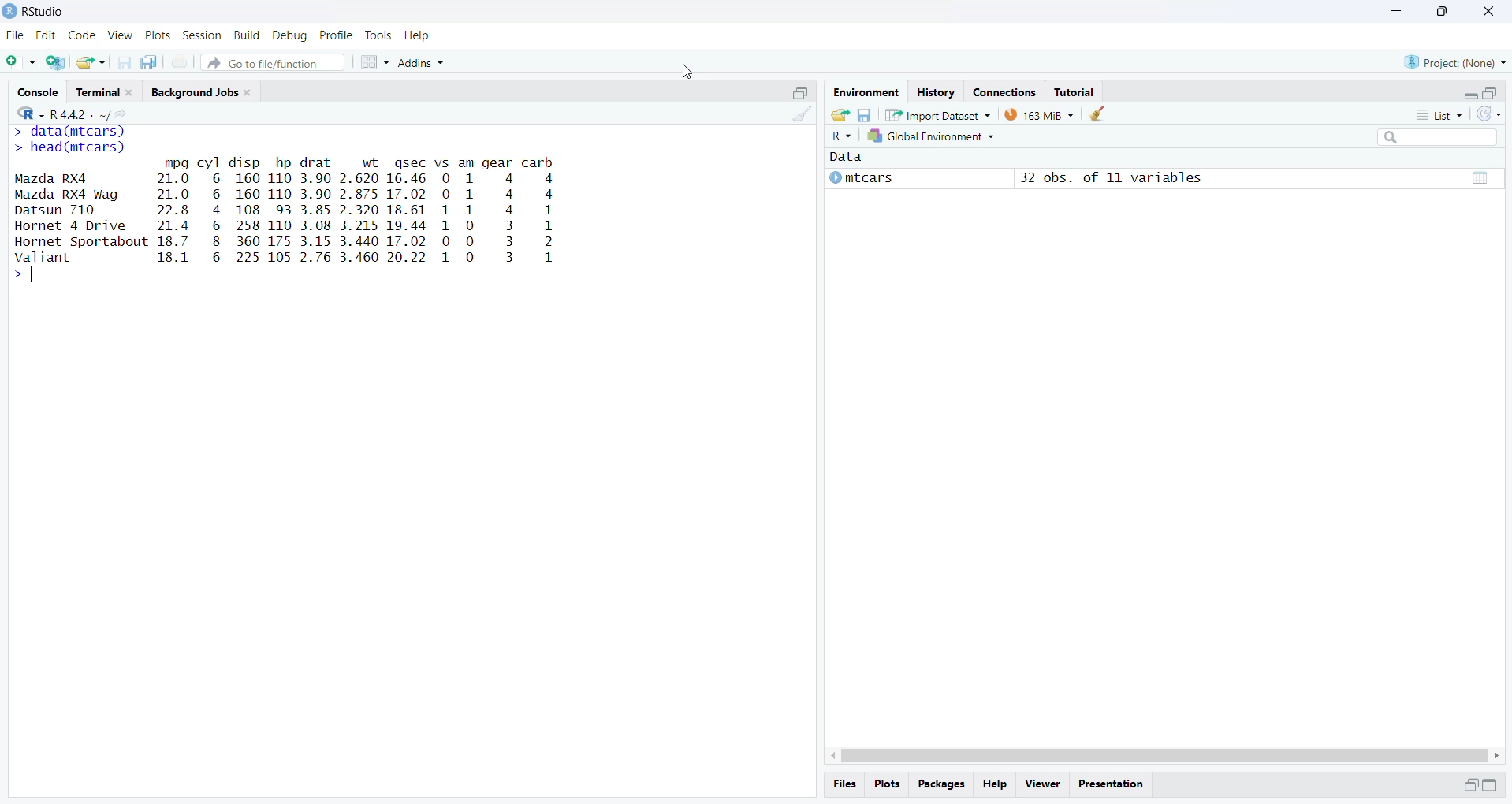 The height and width of the screenshot is (804, 1512). I want to click on open in separate window, so click(1488, 94).